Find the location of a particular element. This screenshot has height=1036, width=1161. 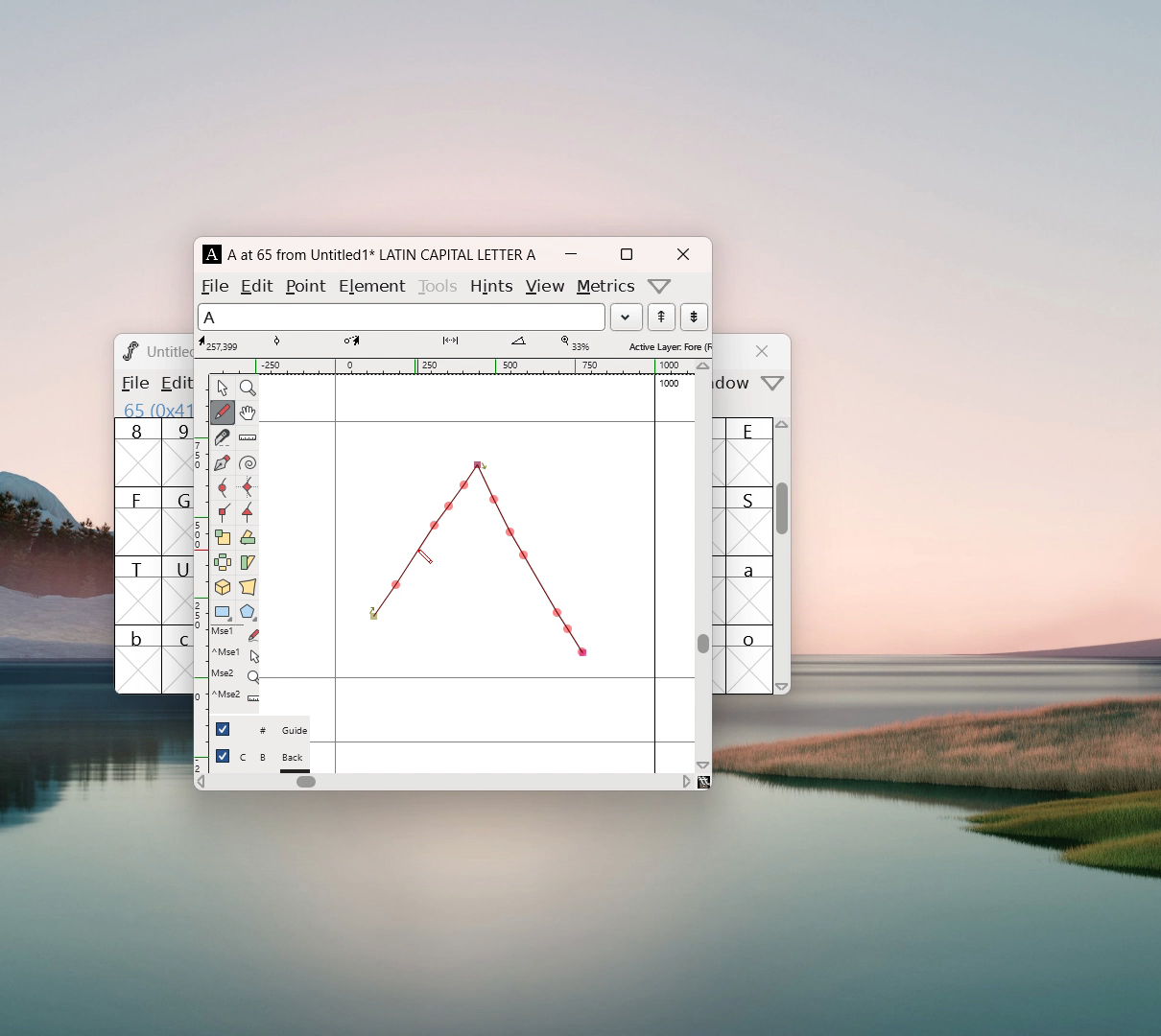

scroll down is located at coordinates (703, 765).